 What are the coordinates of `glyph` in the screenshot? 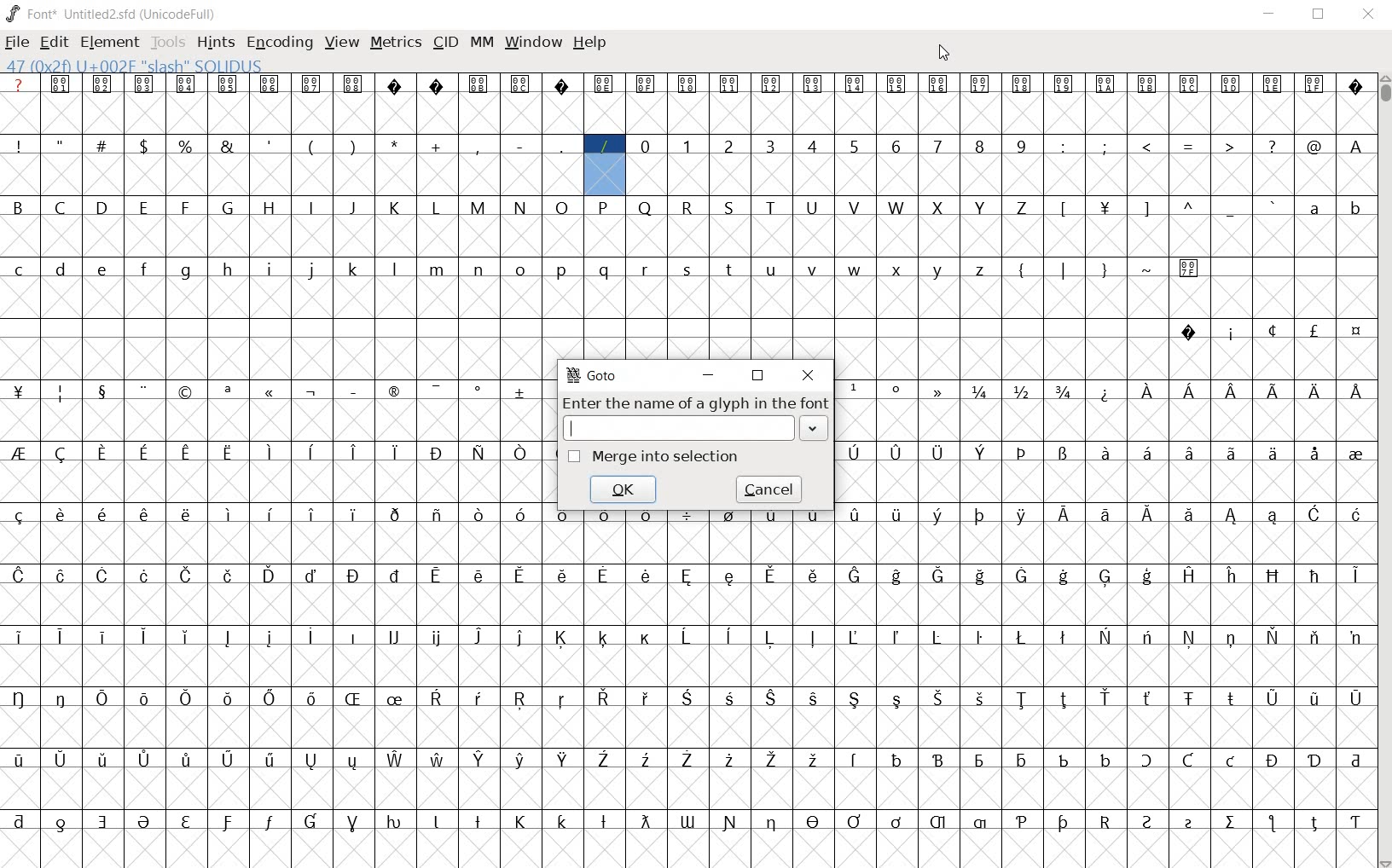 It's located at (646, 270).